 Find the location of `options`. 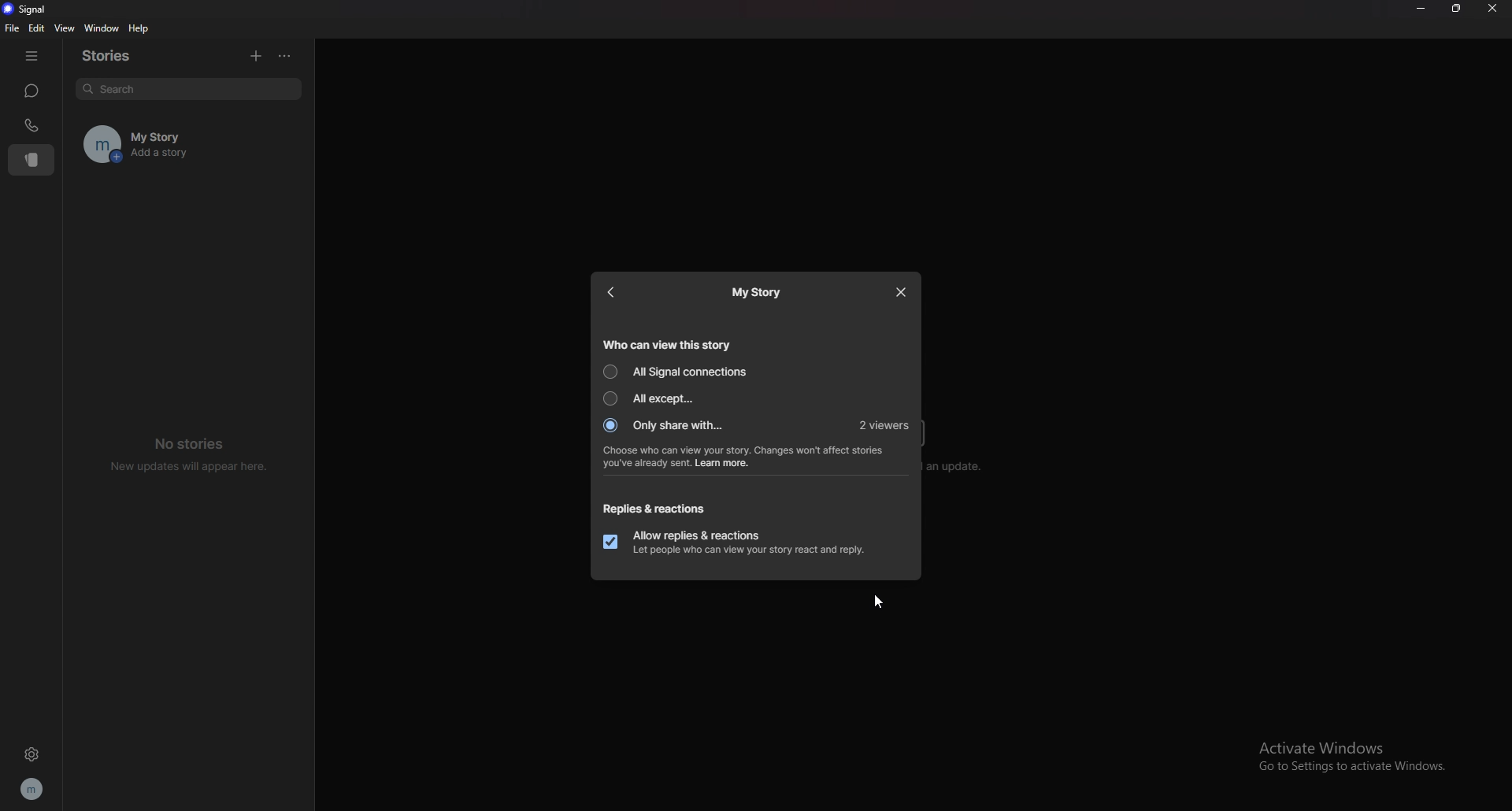

options is located at coordinates (288, 54).